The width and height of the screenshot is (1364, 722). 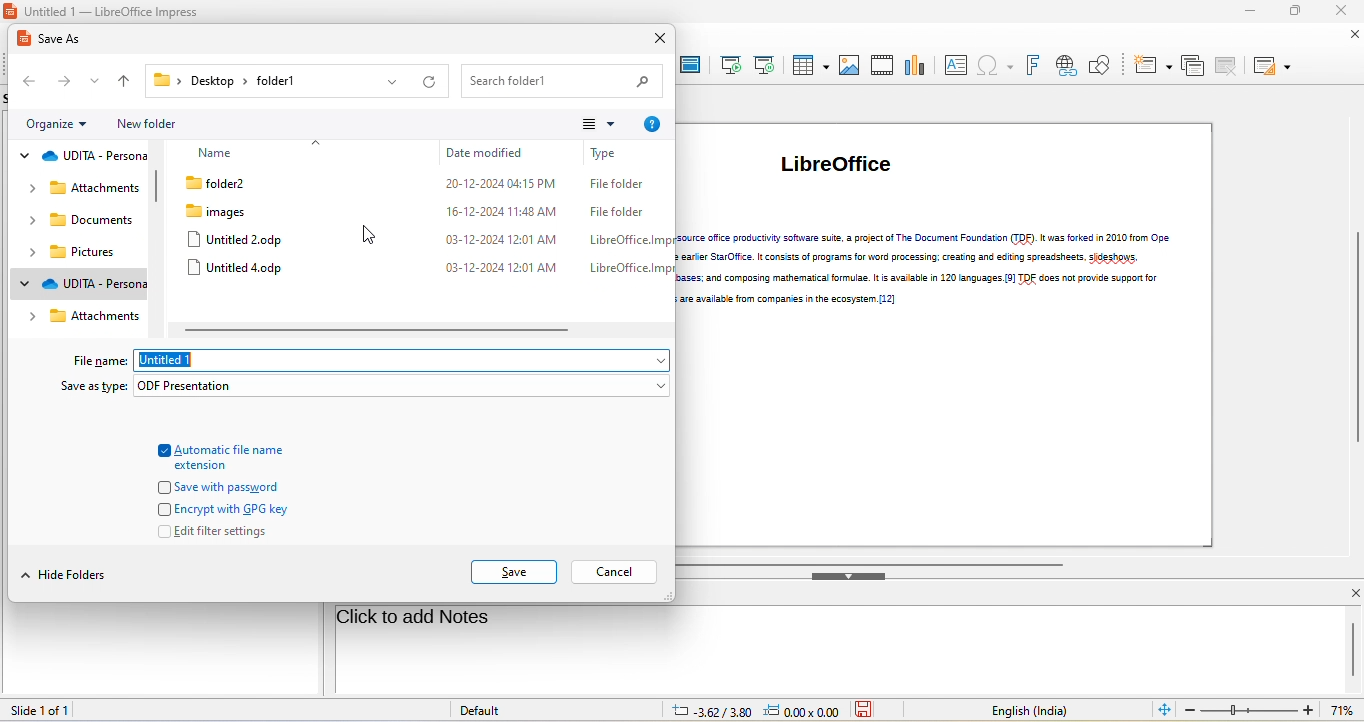 I want to click on udita personal, so click(x=83, y=281).